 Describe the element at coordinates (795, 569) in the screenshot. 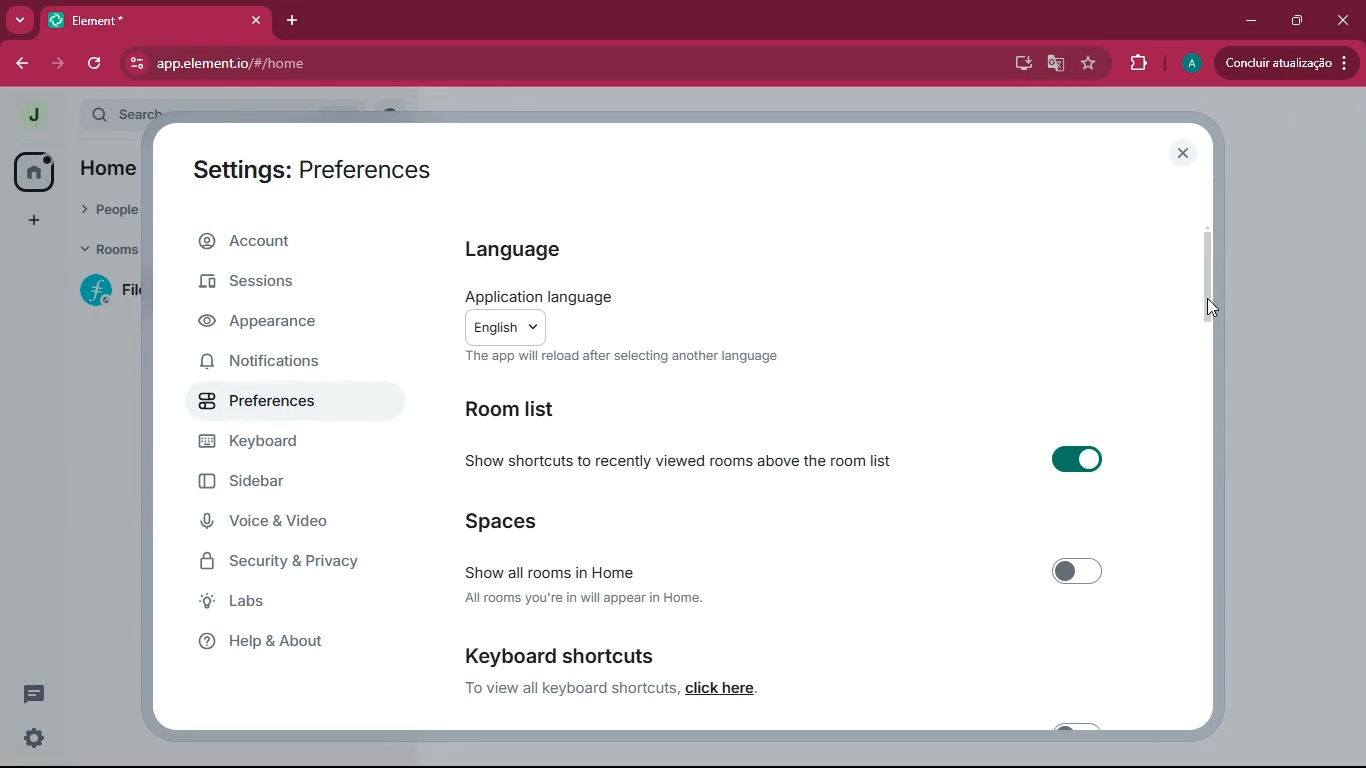

I see `Show all rooms in Home` at that location.